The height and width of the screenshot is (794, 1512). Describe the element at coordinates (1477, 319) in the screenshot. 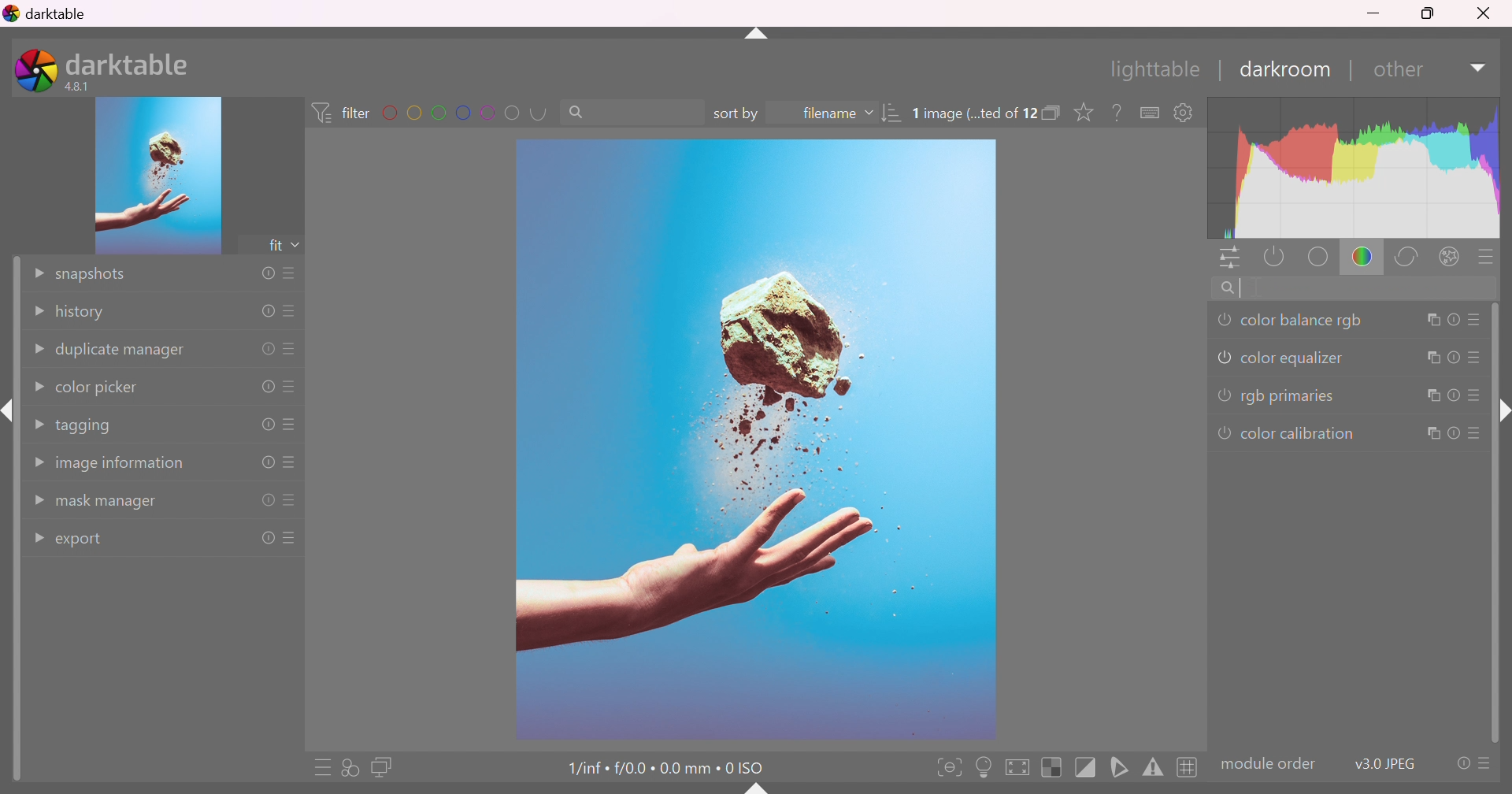

I see `presets` at that location.